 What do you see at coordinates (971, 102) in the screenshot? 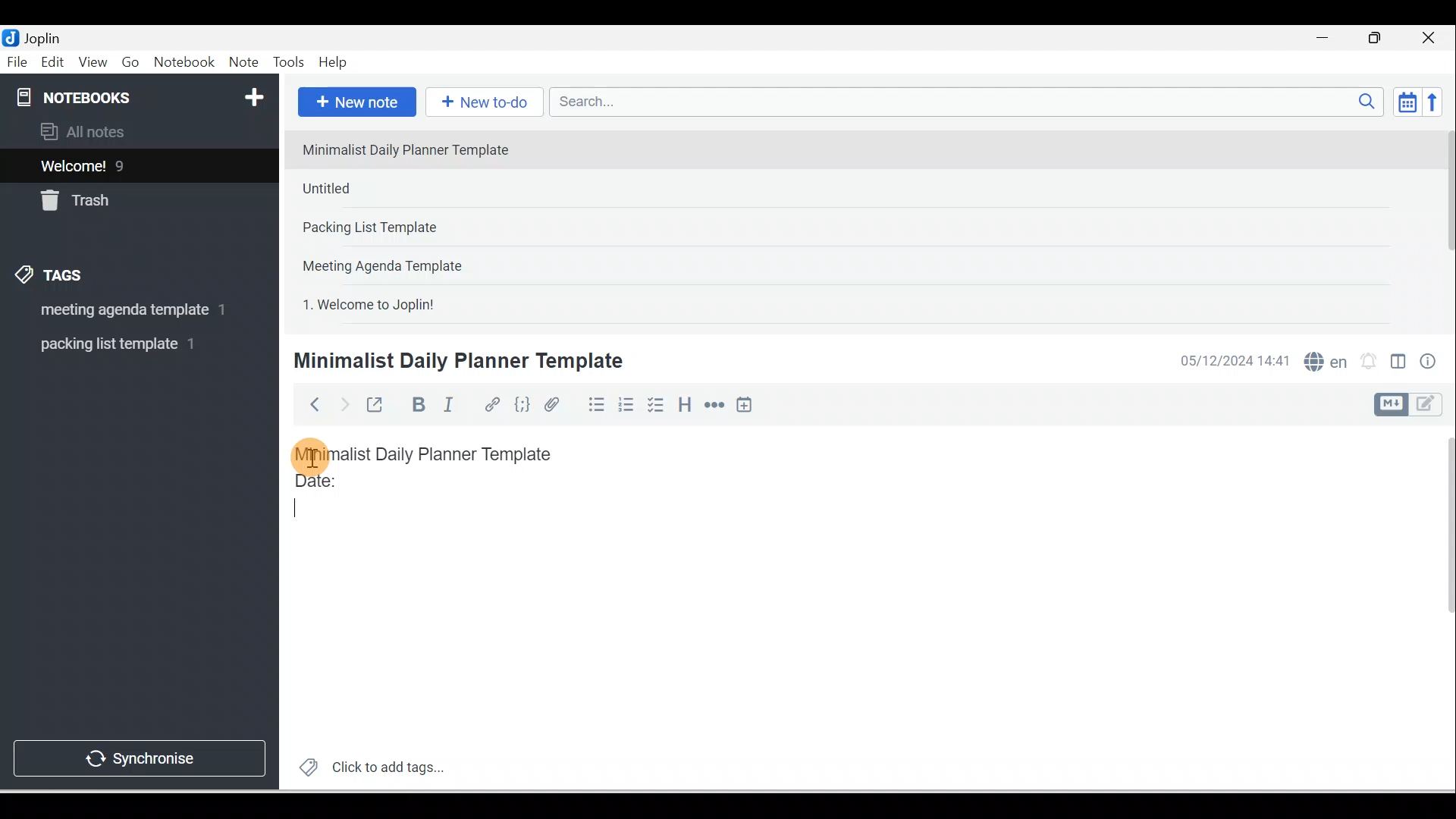
I see `Search bar` at bounding box center [971, 102].